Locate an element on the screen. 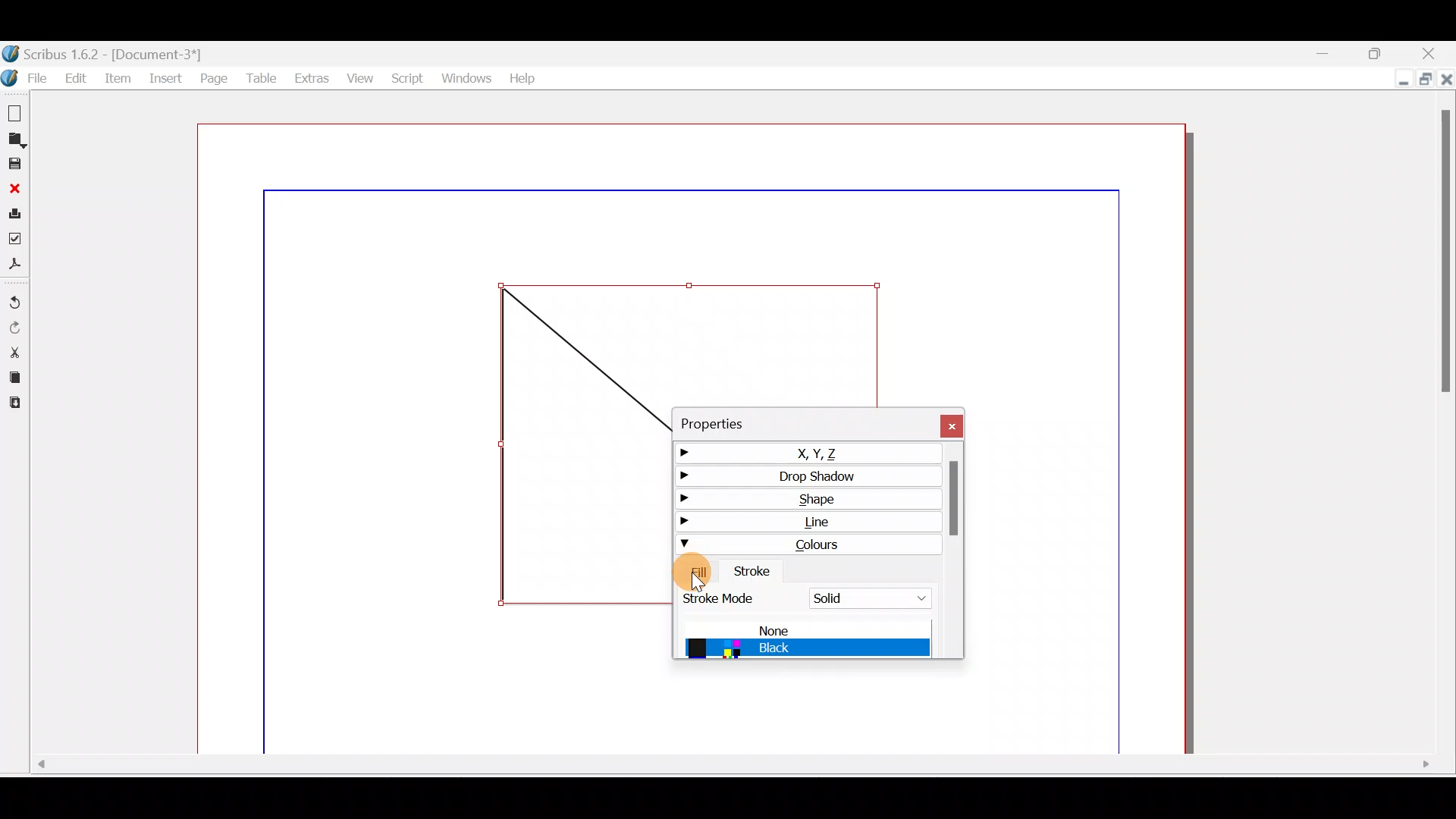 This screenshot has width=1456, height=819. Shape is located at coordinates (807, 497).